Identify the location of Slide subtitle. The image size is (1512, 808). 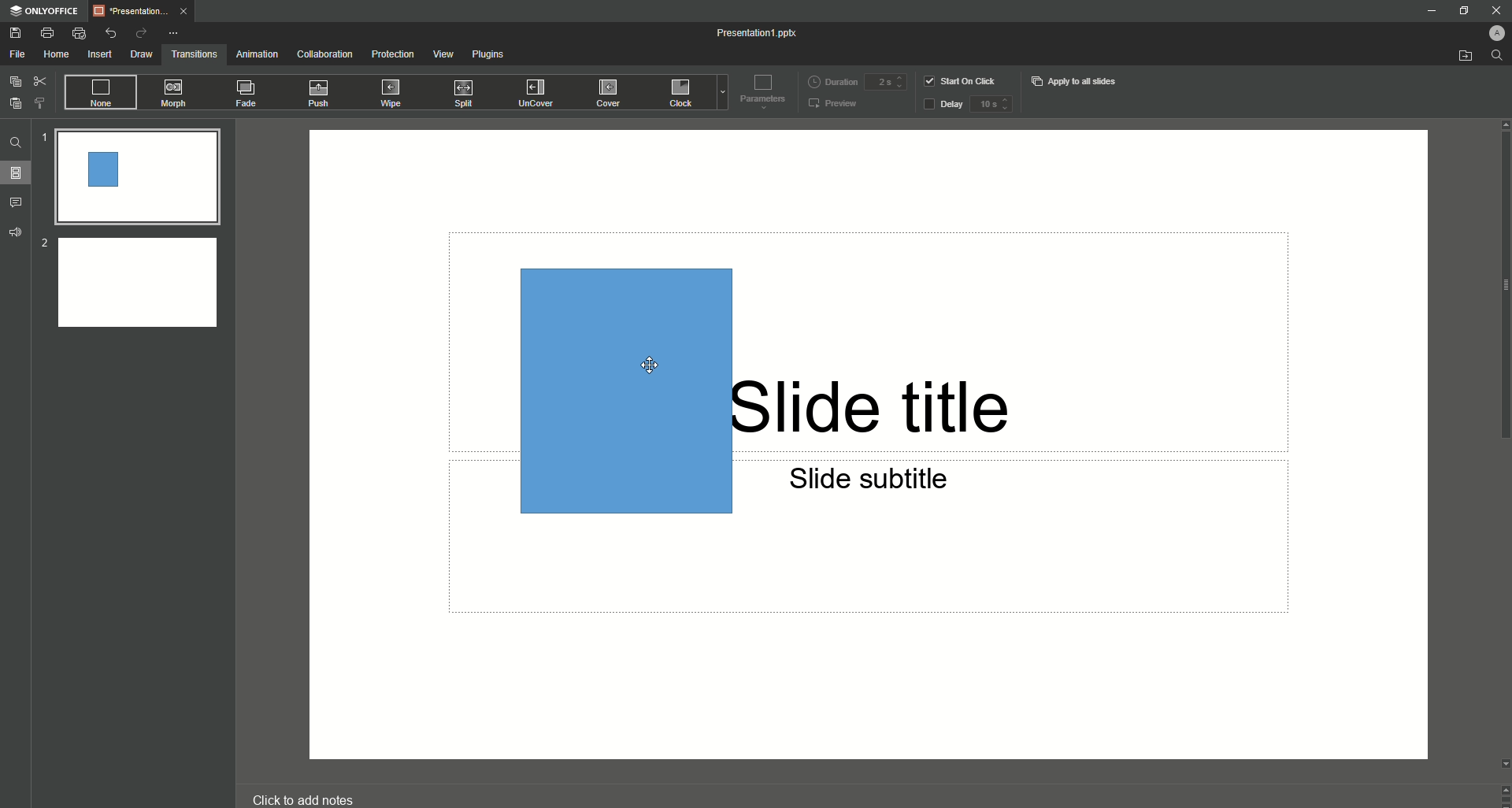
(872, 484).